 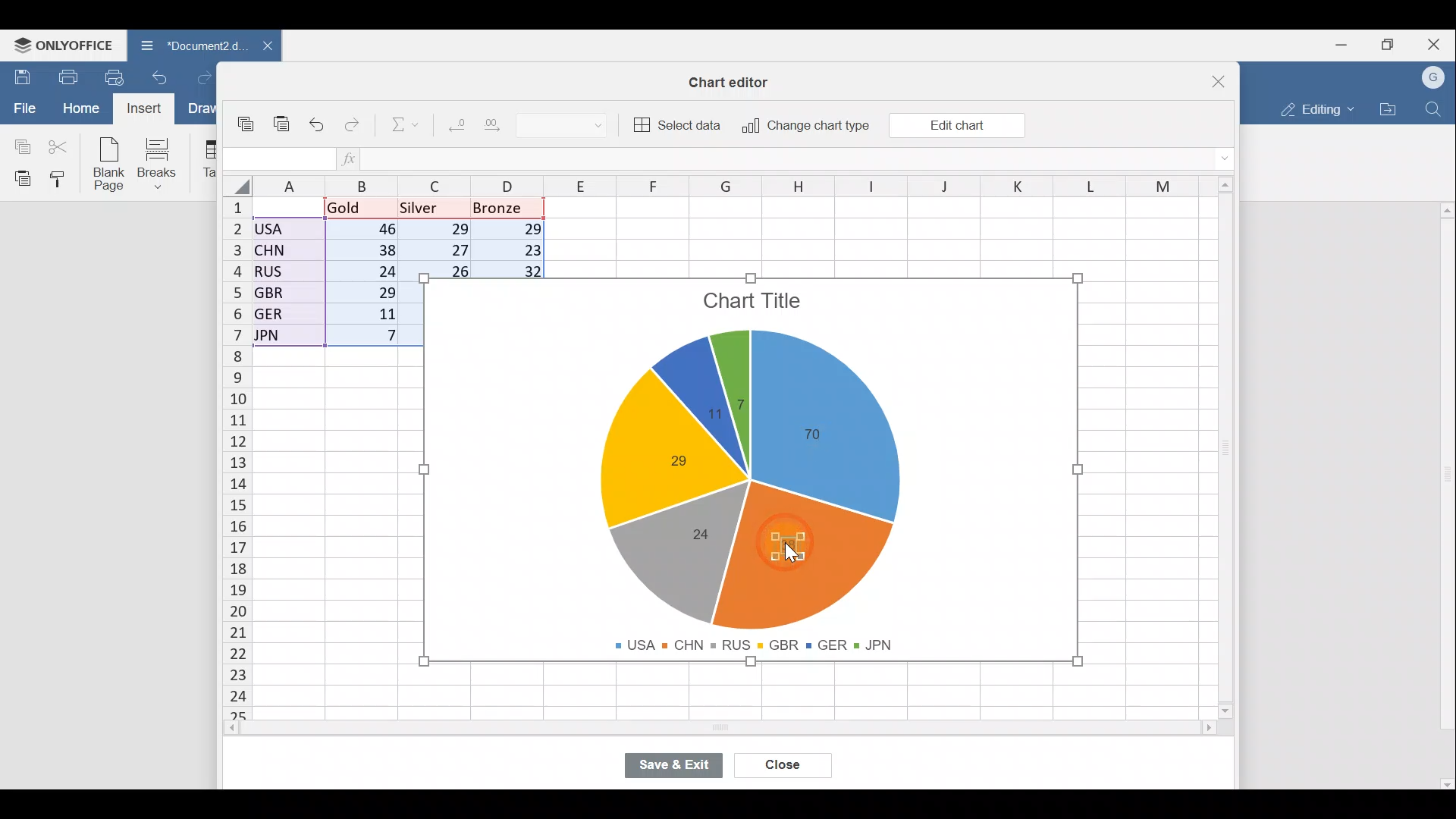 What do you see at coordinates (699, 532) in the screenshot?
I see `Chart label` at bounding box center [699, 532].